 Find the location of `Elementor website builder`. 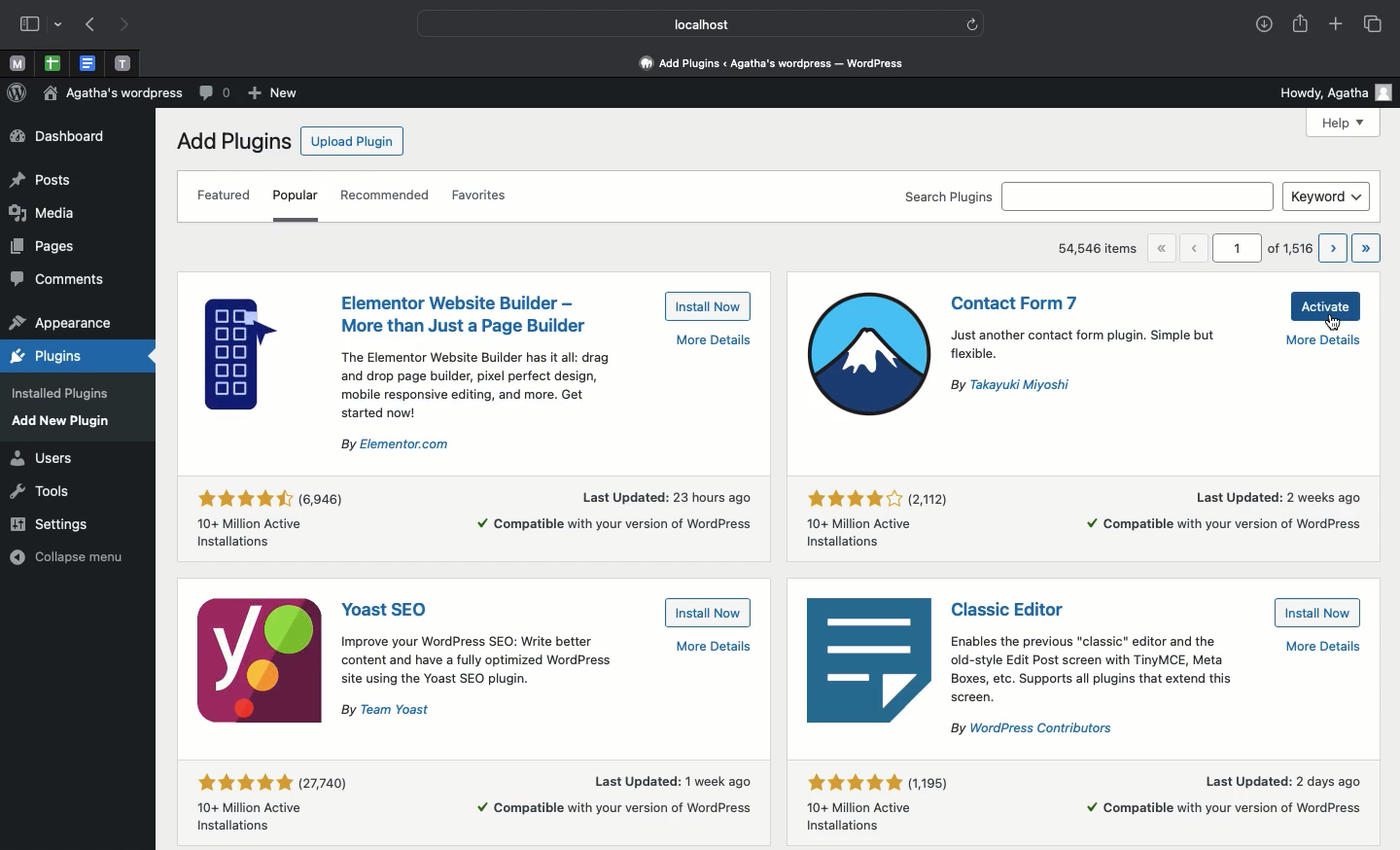

Elementor website builder is located at coordinates (464, 314).